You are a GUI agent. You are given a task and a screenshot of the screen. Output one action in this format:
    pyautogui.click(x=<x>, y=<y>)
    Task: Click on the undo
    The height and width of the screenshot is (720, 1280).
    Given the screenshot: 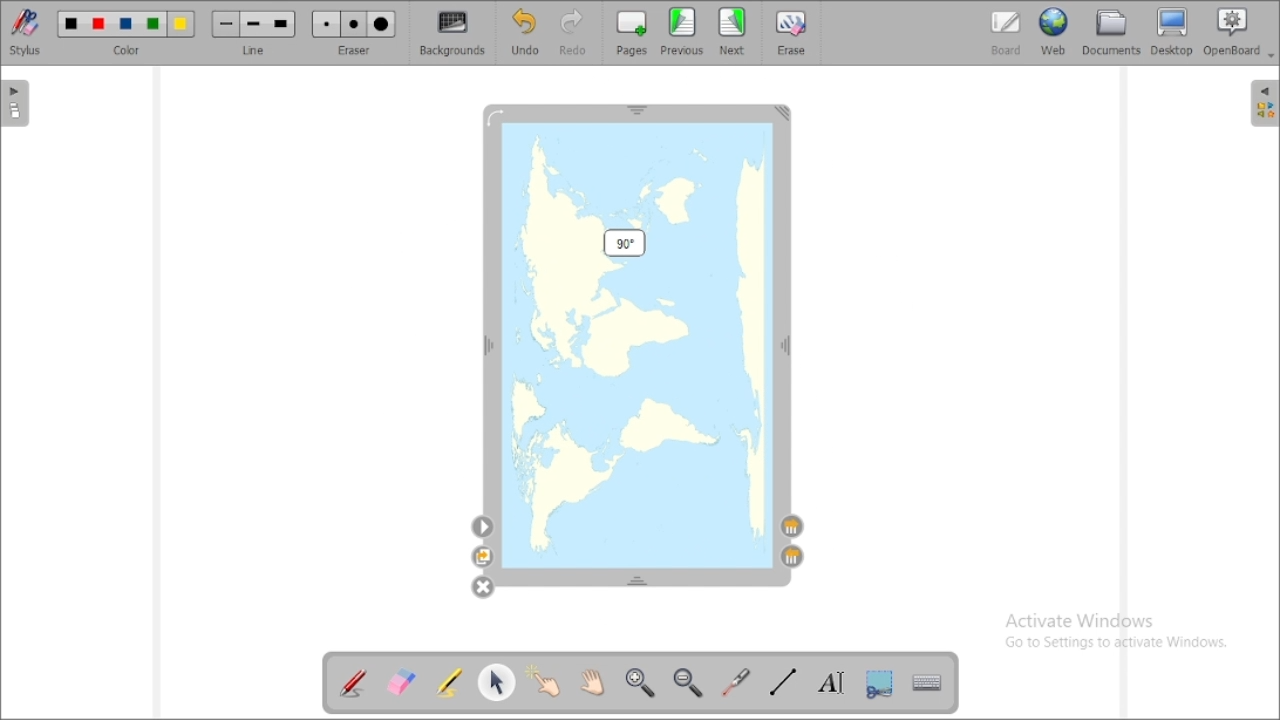 What is the action you would take?
    pyautogui.click(x=527, y=32)
    